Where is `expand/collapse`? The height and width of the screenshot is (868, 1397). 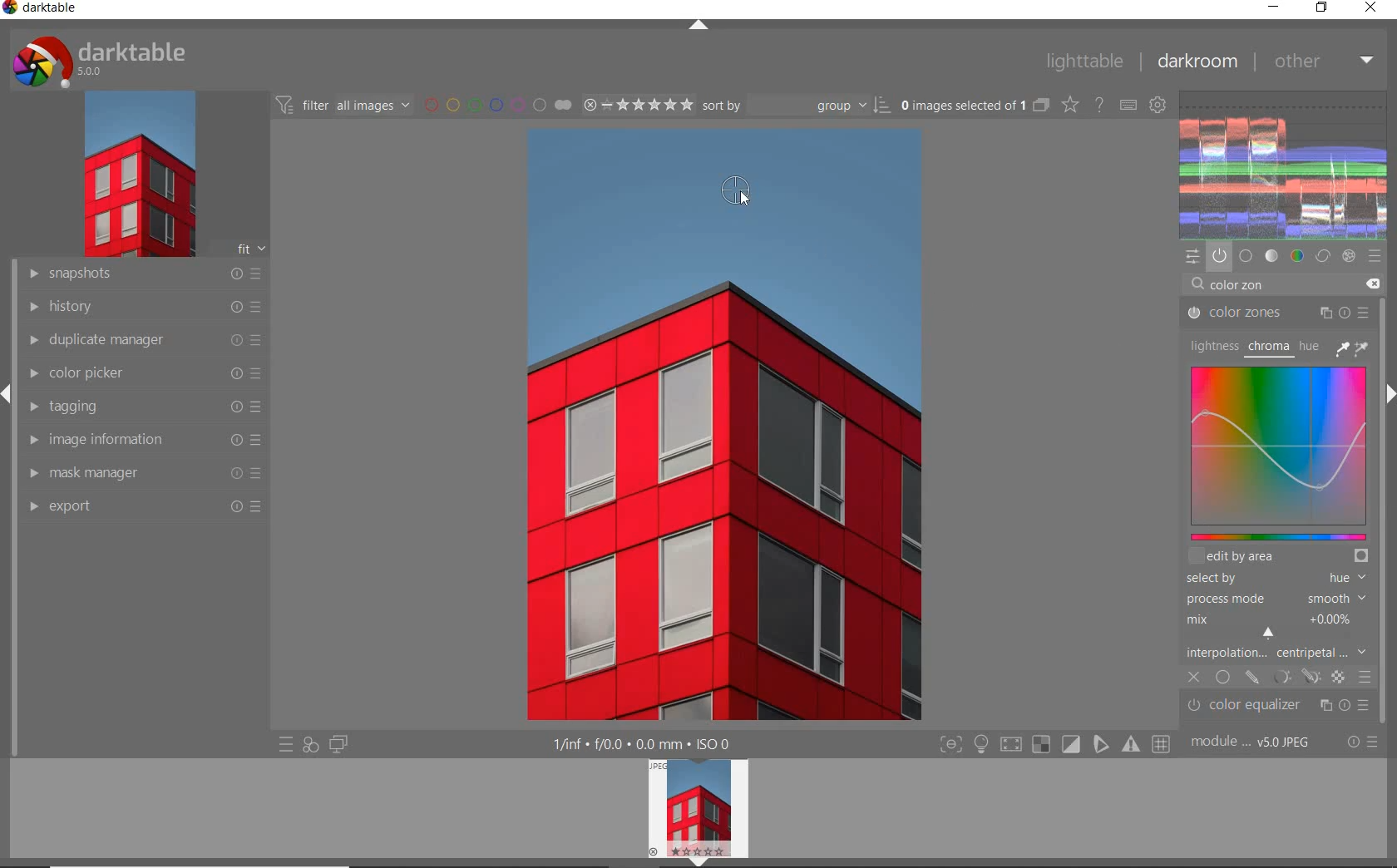
expand/collapse is located at coordinates (8, 397).